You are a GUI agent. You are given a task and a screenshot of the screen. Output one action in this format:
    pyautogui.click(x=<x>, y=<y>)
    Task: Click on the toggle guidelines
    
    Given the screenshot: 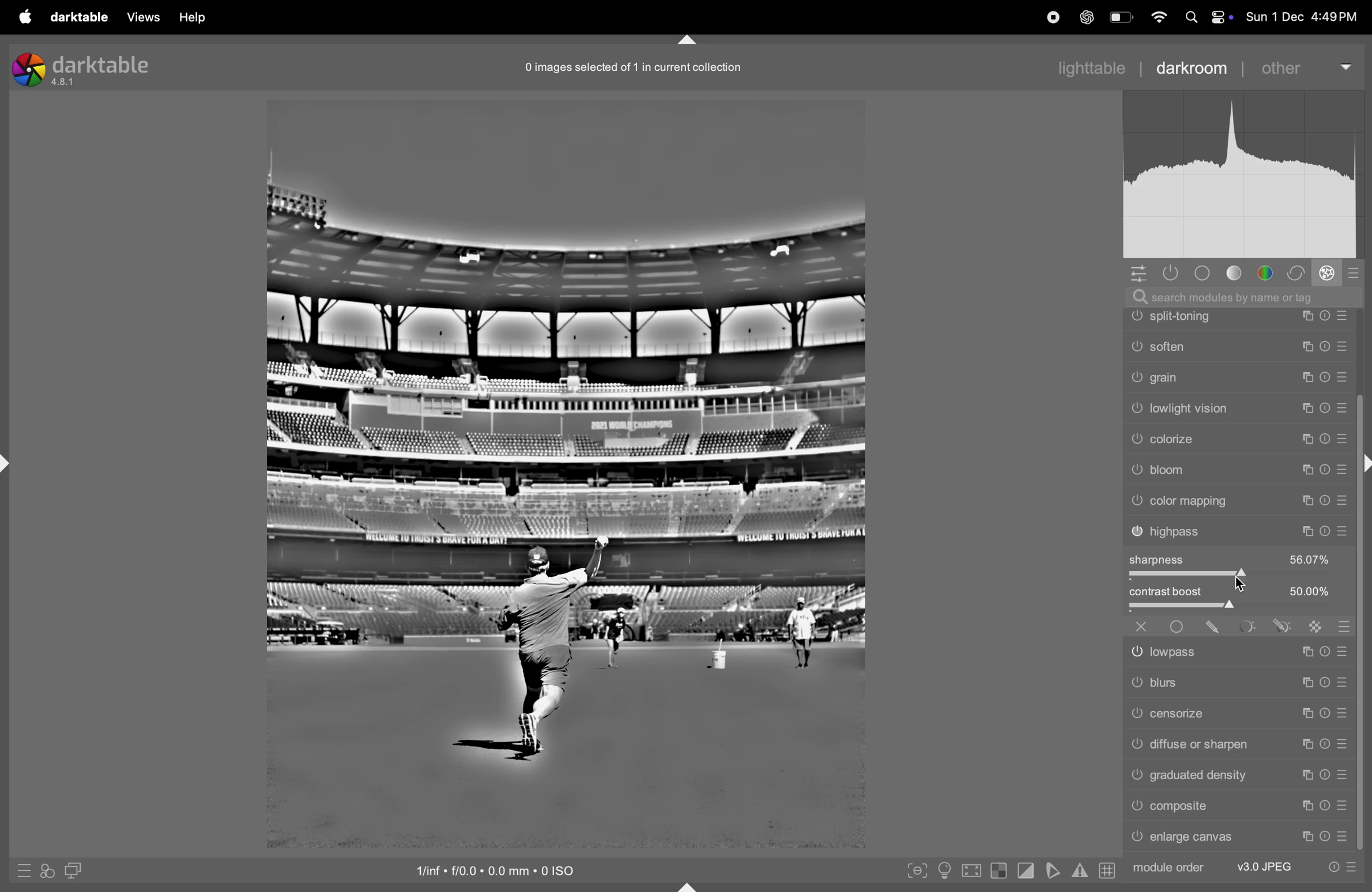 What is the action you would take?
    pyautogui.click(x=1107, y=870)
    